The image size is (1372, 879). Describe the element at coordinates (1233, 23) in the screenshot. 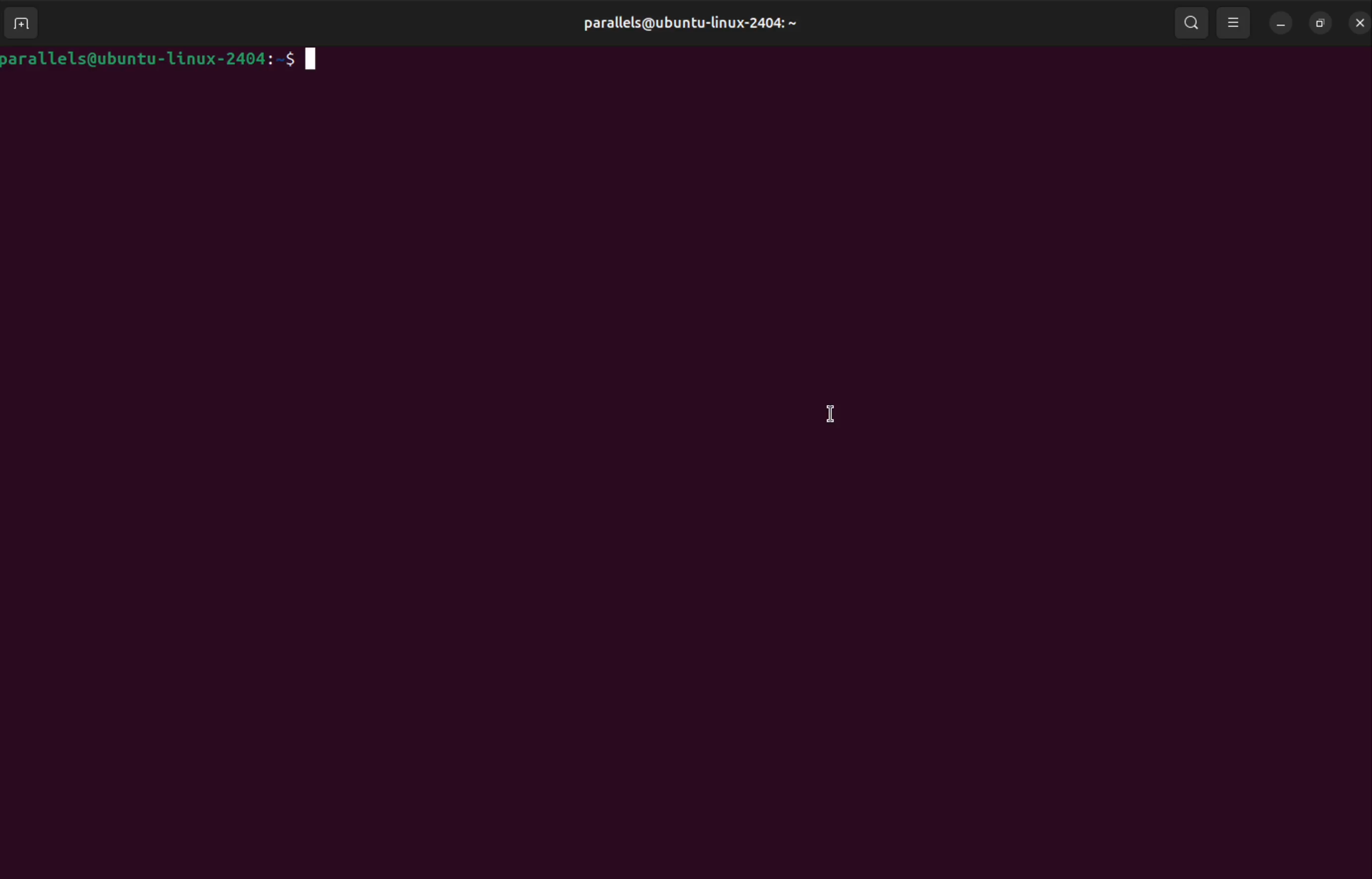

I see `viewing mode` at that location.